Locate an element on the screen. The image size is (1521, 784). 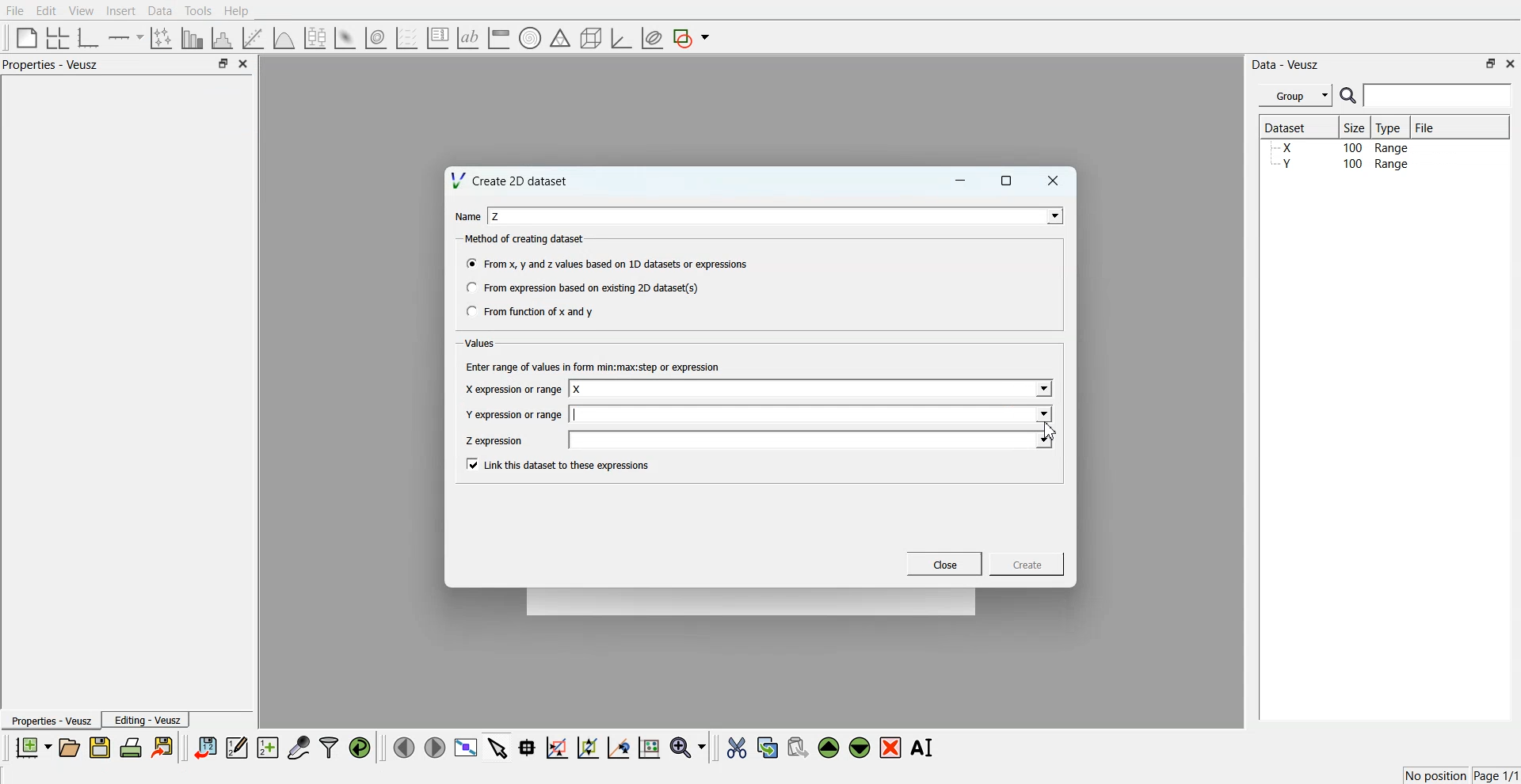
Export to graphic format is located at coordinates (164, 747).